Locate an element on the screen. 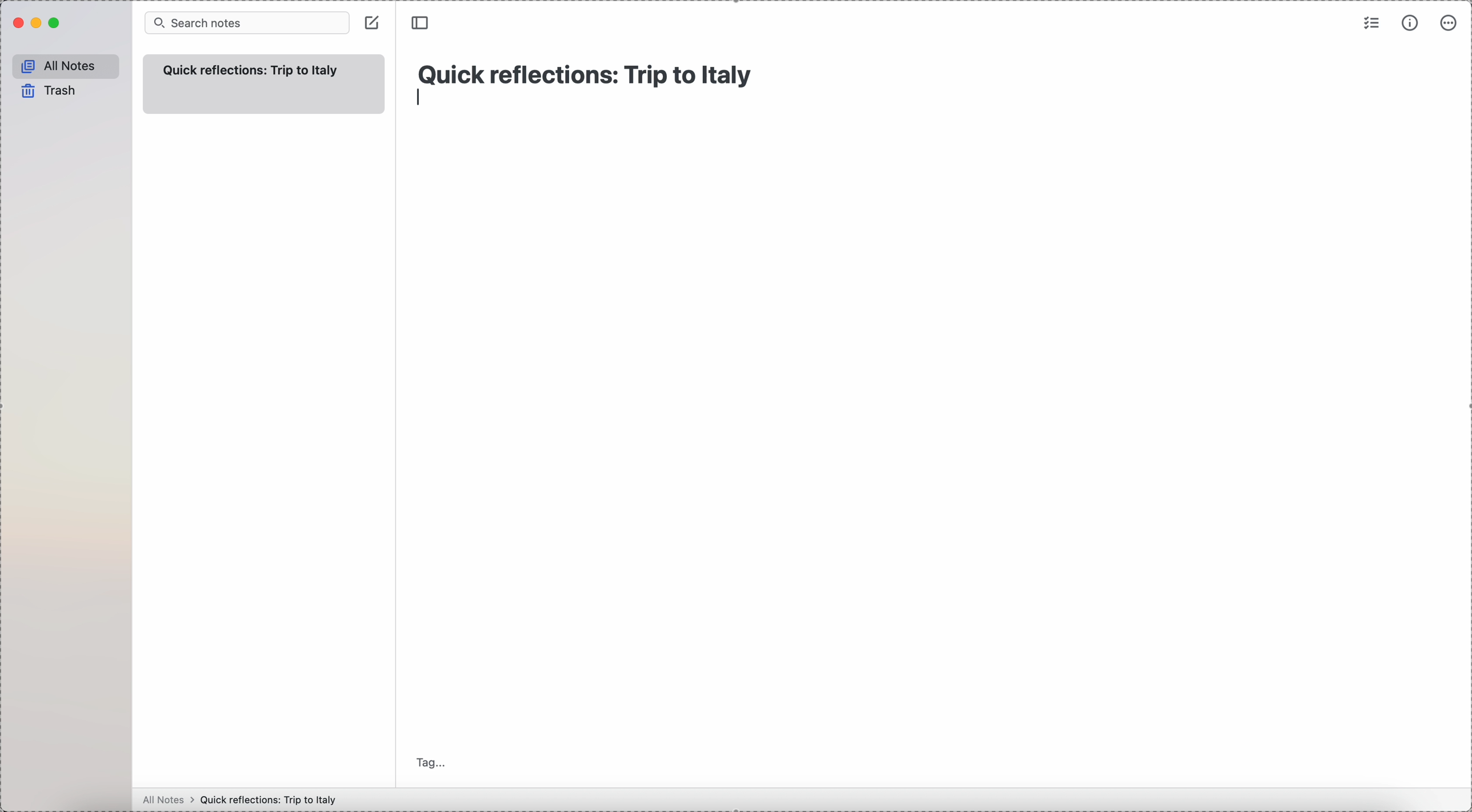 The width and height of the screenshot is (1472, 812). all notes is located at coordinates (165, 801).